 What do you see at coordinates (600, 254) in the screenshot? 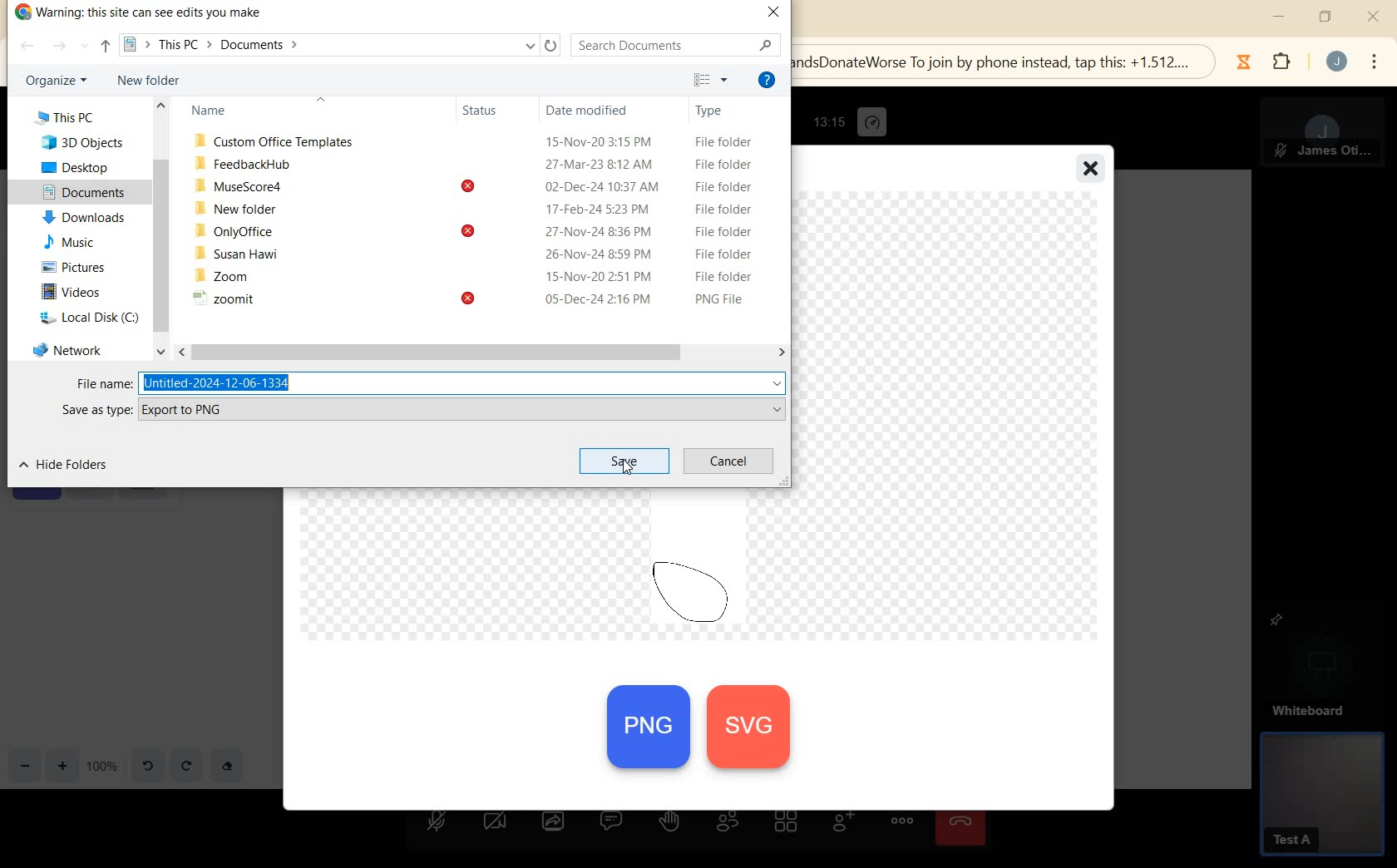
I see `26-Nov-24 8:59 PM` at bounding box center [600, 254].